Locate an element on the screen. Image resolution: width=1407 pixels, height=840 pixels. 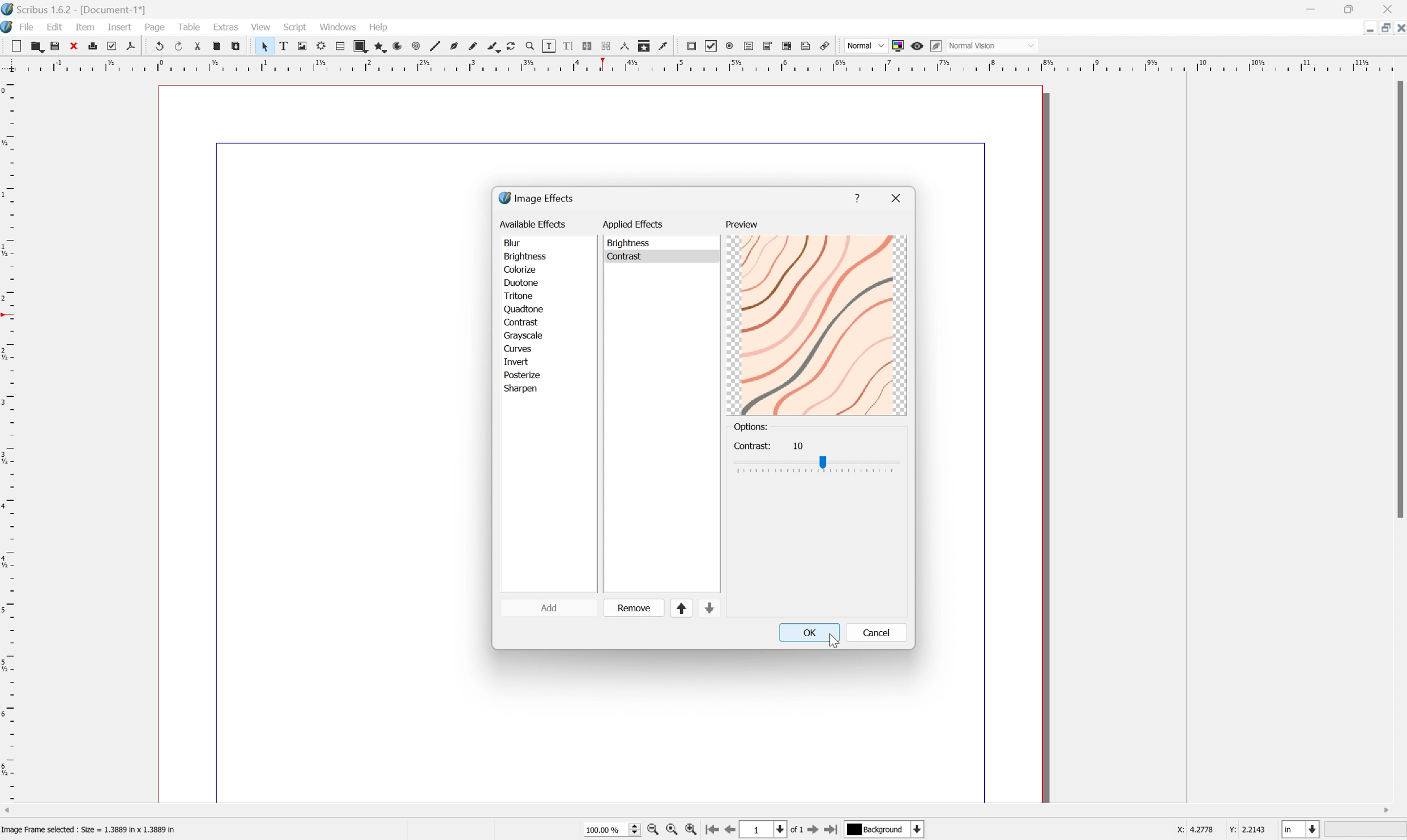
Copy item properties is located at coordinates (647, 46).